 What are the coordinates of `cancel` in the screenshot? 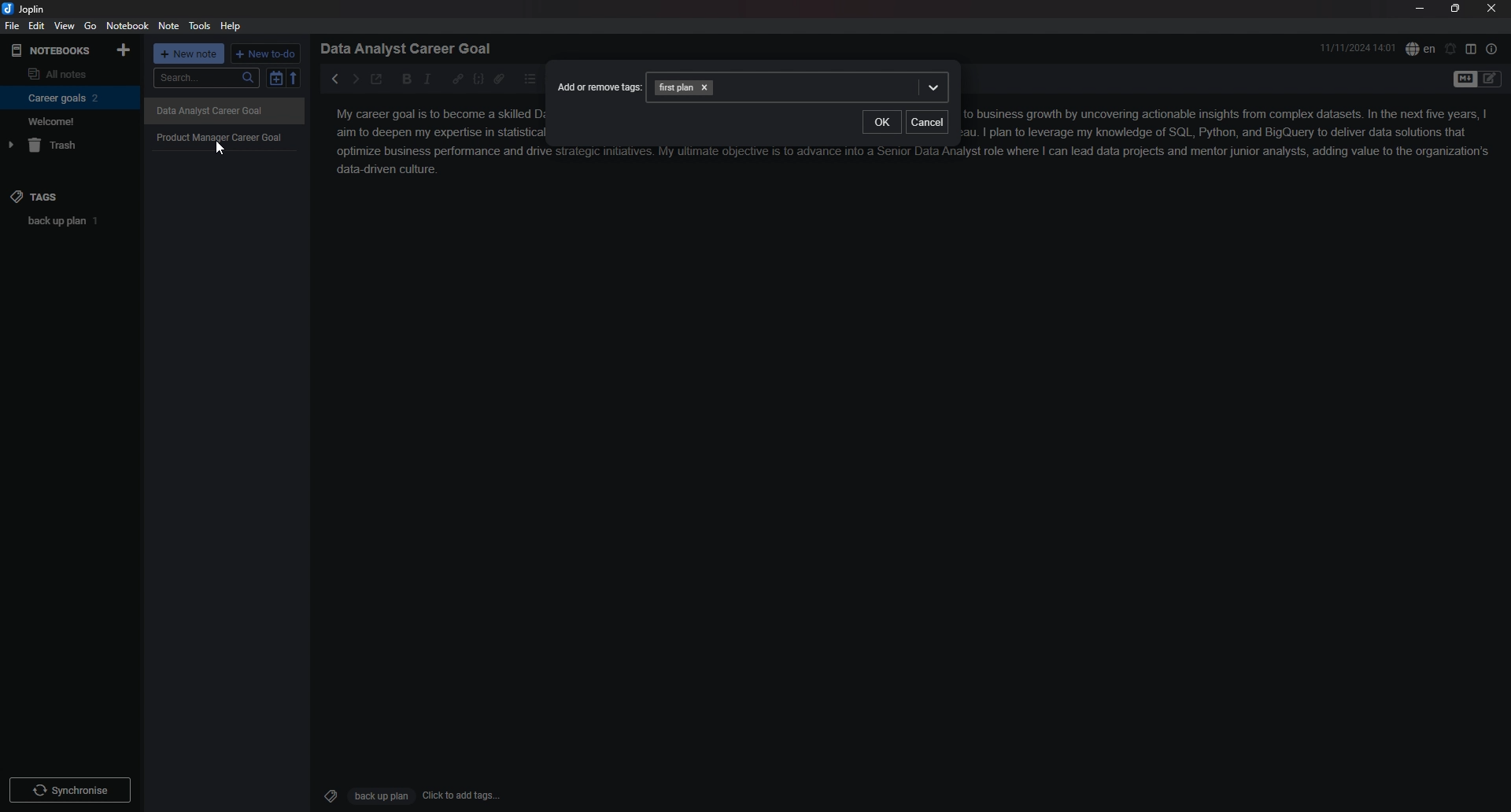 It's located at (928, 123).